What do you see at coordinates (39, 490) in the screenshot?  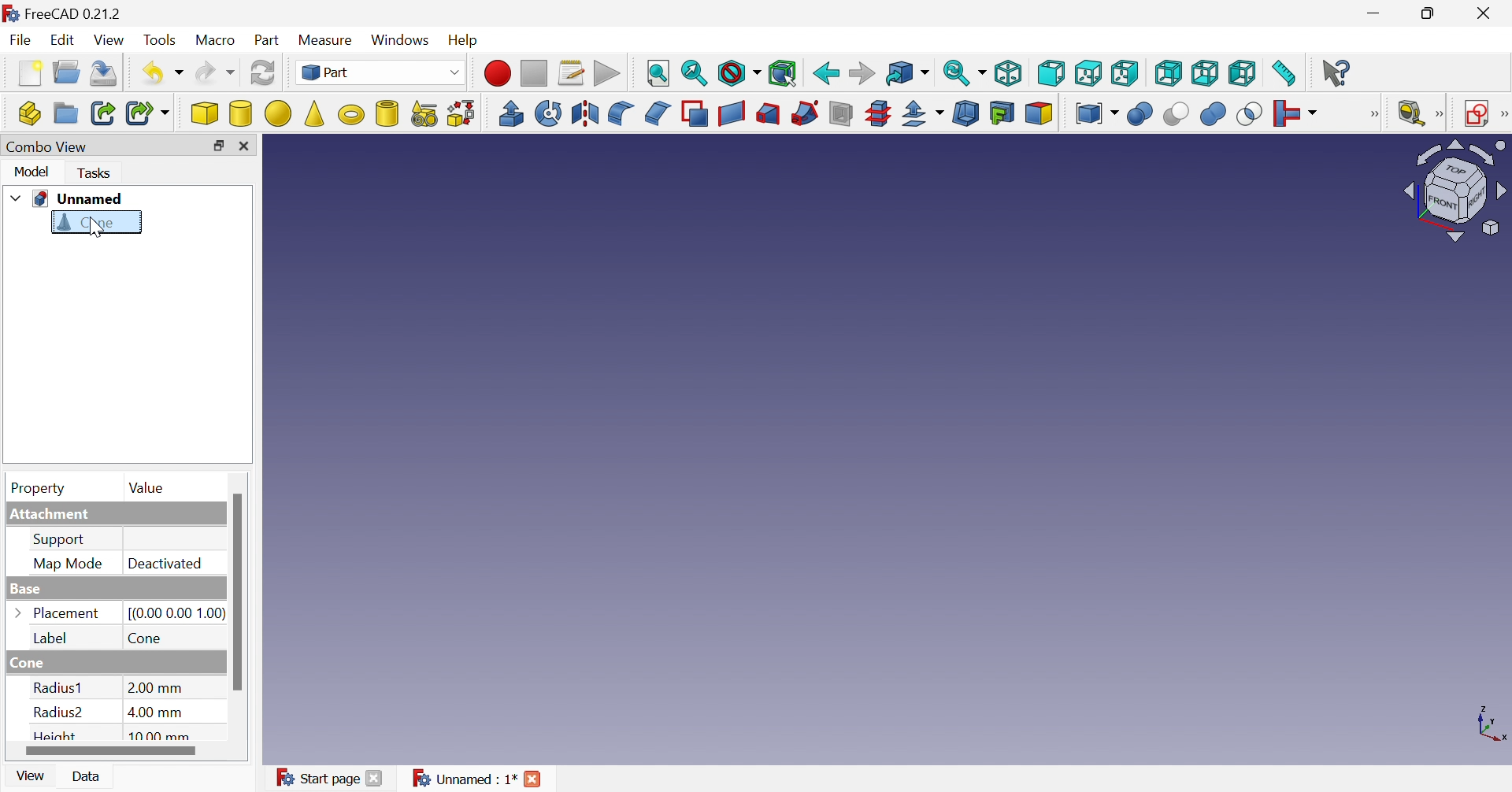 I see `Property` at bounding box center [39, 490].